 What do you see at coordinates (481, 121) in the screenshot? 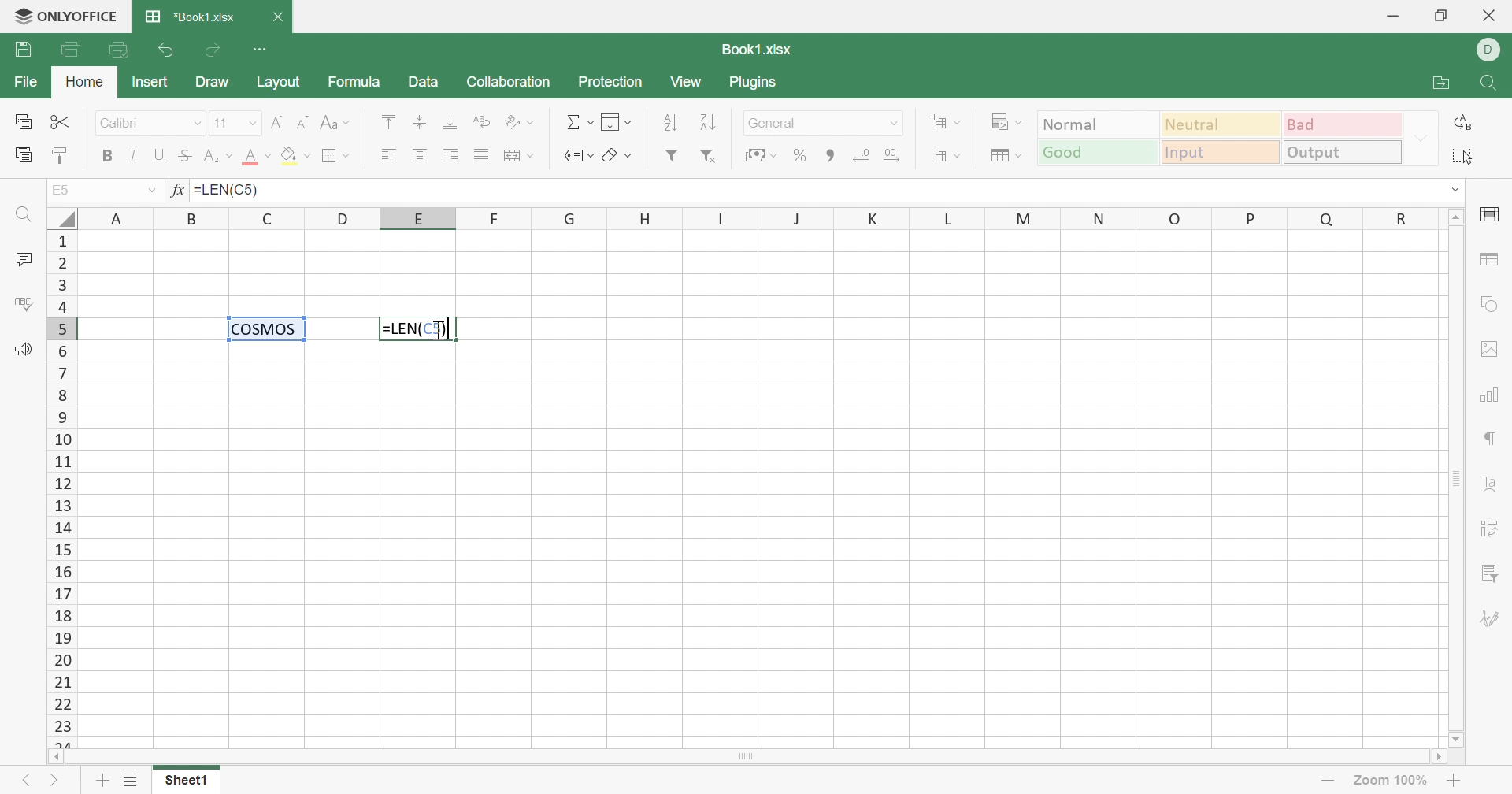
I see `Wrap text` at bounding box center [481, 121].